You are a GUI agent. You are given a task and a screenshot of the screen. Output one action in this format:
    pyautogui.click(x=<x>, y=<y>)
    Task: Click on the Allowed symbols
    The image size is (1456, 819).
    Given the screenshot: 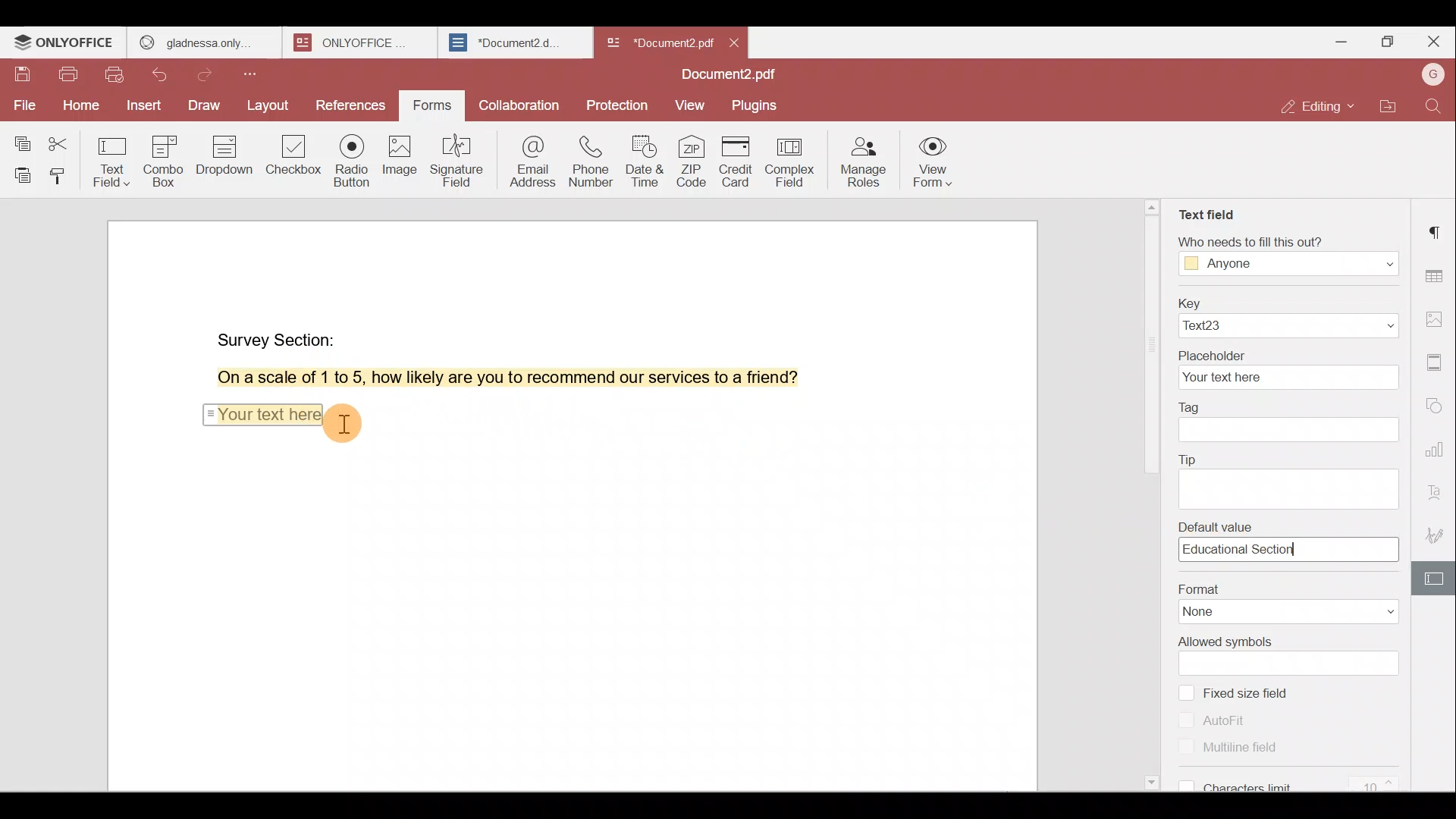 What is the action you would take?
    pyautogui.click(x=1291, y=656)
    